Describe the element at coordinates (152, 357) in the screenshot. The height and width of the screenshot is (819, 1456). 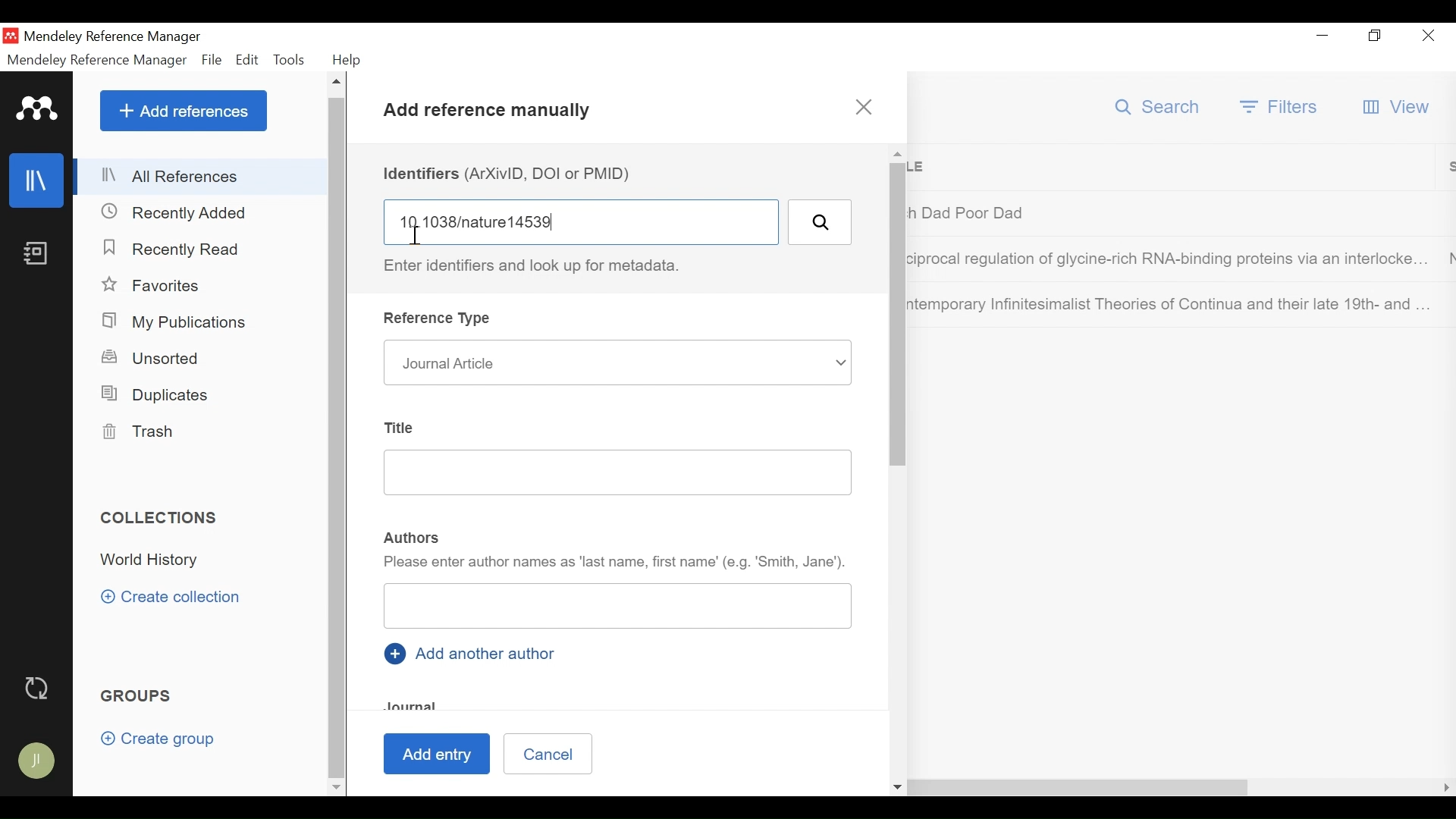
I see `Unsorted` at that location.